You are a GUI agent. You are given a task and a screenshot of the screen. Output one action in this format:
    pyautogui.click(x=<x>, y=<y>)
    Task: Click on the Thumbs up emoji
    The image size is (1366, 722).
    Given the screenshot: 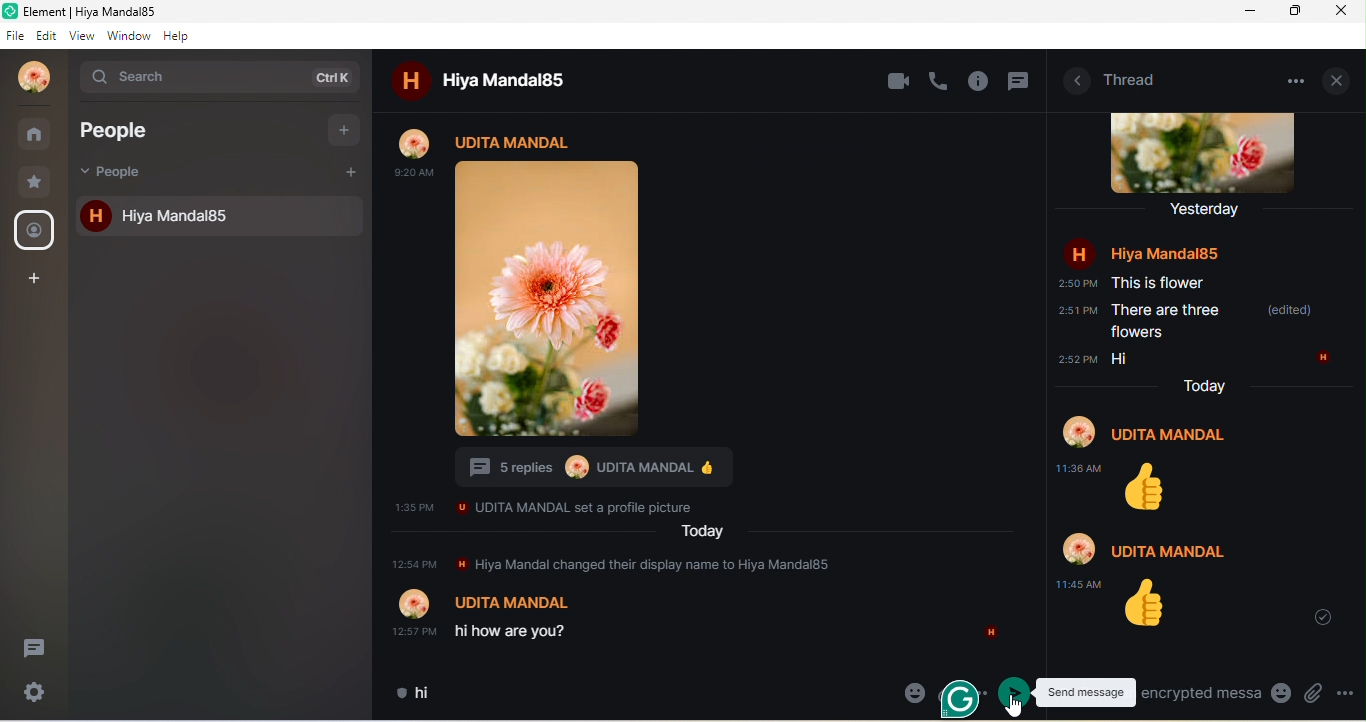 What is the action you would take?
    pyautogui.click(x=1150, y=488)
    